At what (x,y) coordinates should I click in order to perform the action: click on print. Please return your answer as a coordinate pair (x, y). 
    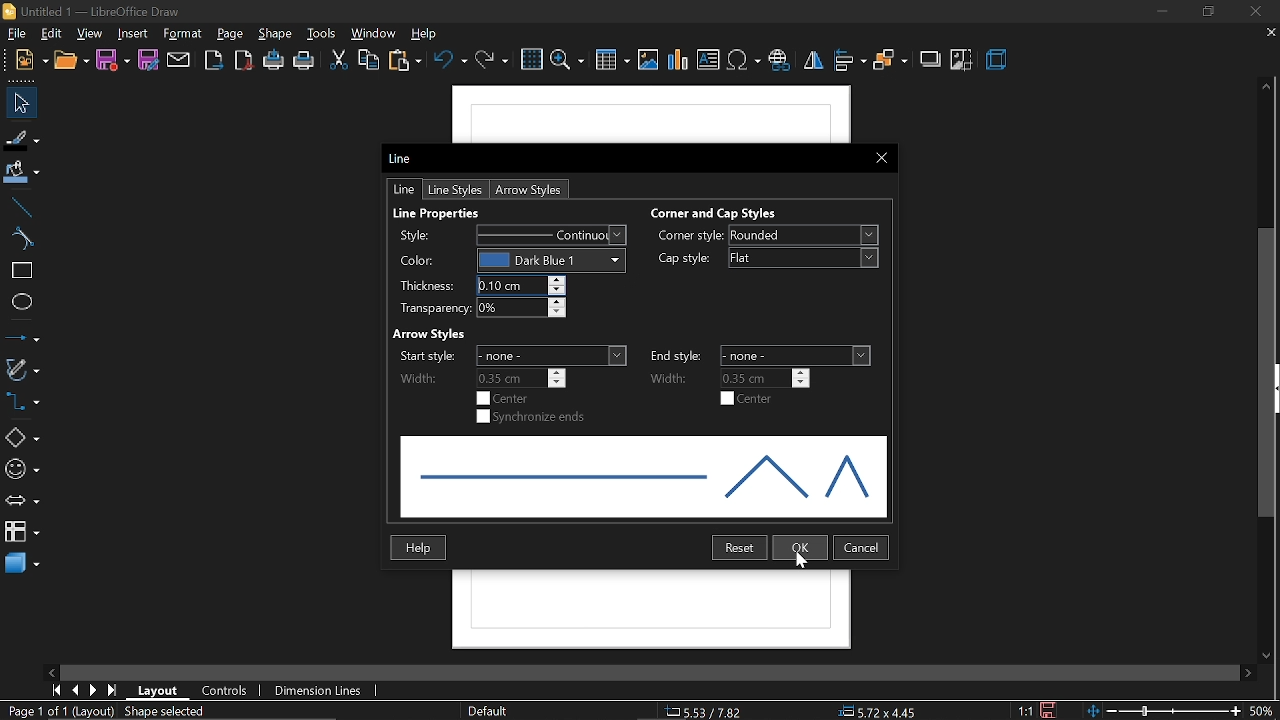
    Looking at the image, I should click on (305, 64).